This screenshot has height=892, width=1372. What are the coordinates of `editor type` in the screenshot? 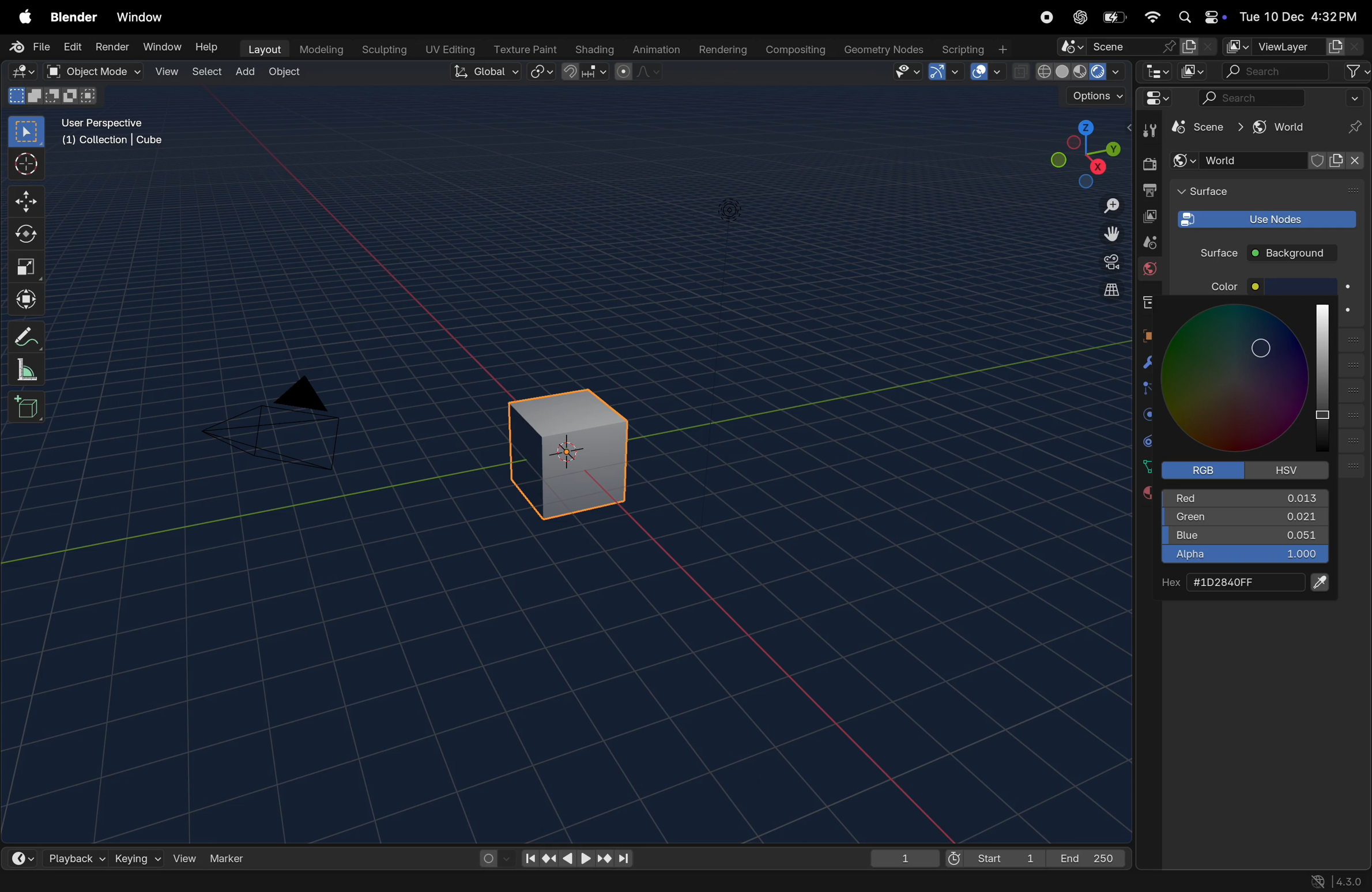 It's located at (25, 72).